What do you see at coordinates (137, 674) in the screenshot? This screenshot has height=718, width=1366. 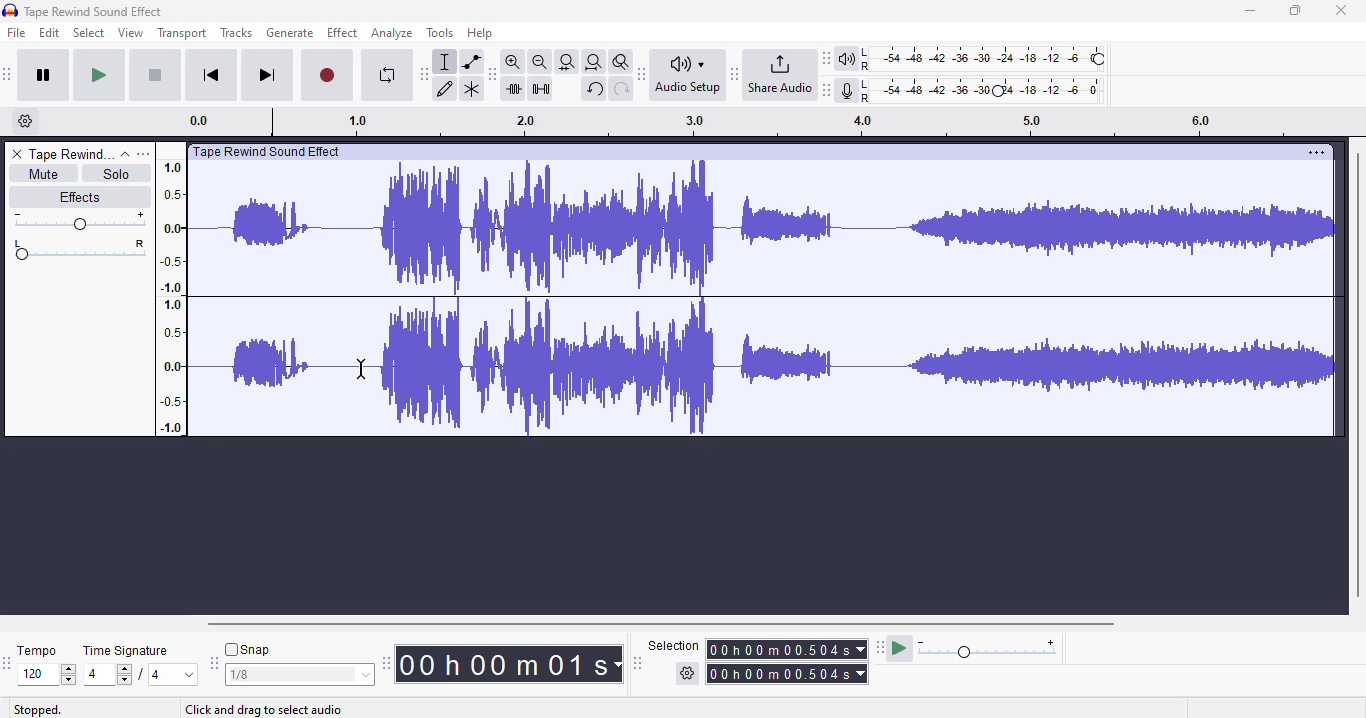 I see `4/4` at bounding box center [137, 674].